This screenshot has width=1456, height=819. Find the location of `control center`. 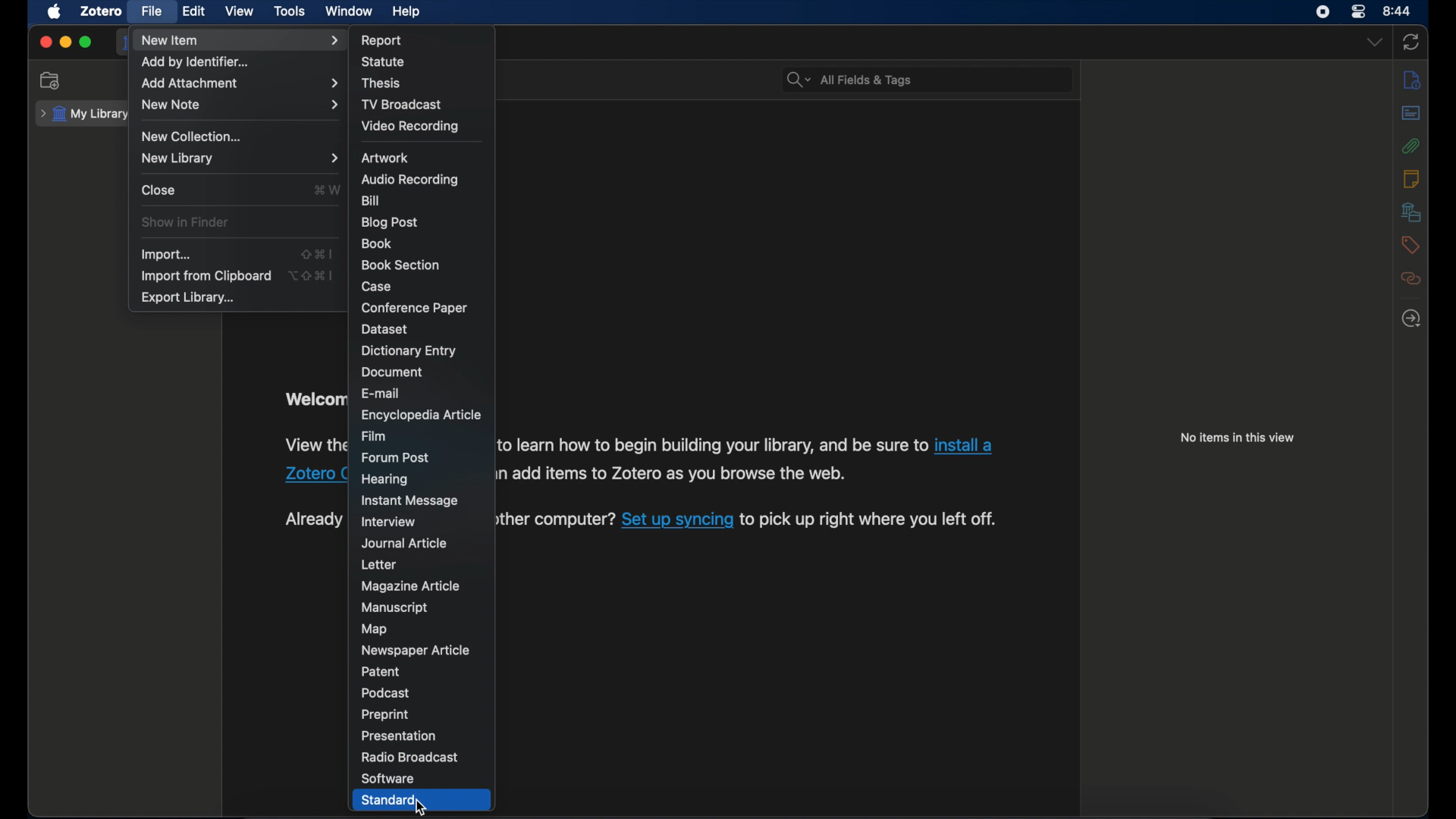

control center is located at coordinates (1360, 12).